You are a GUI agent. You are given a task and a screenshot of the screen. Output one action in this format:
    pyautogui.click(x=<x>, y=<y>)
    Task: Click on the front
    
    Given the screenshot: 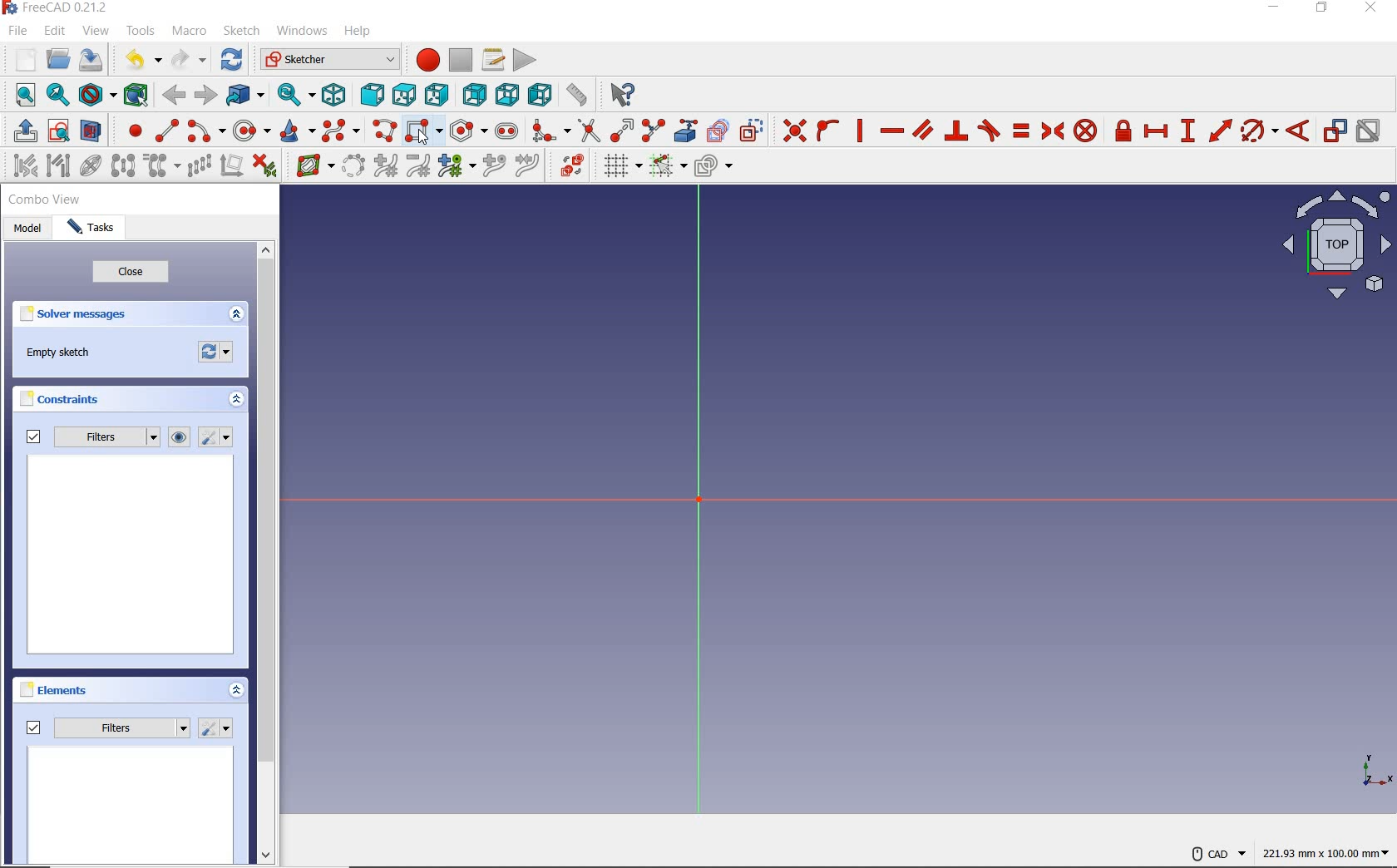 What is the action you would take?
    pyautogui.click(x=370, y=96)
    